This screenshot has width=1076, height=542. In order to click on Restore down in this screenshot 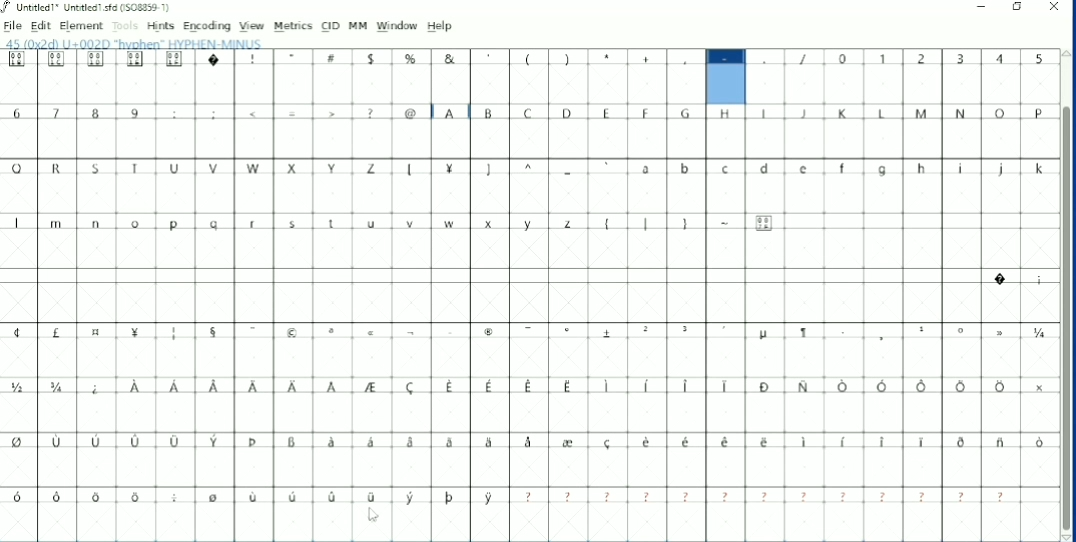, I will do `click(1019, 7)`.